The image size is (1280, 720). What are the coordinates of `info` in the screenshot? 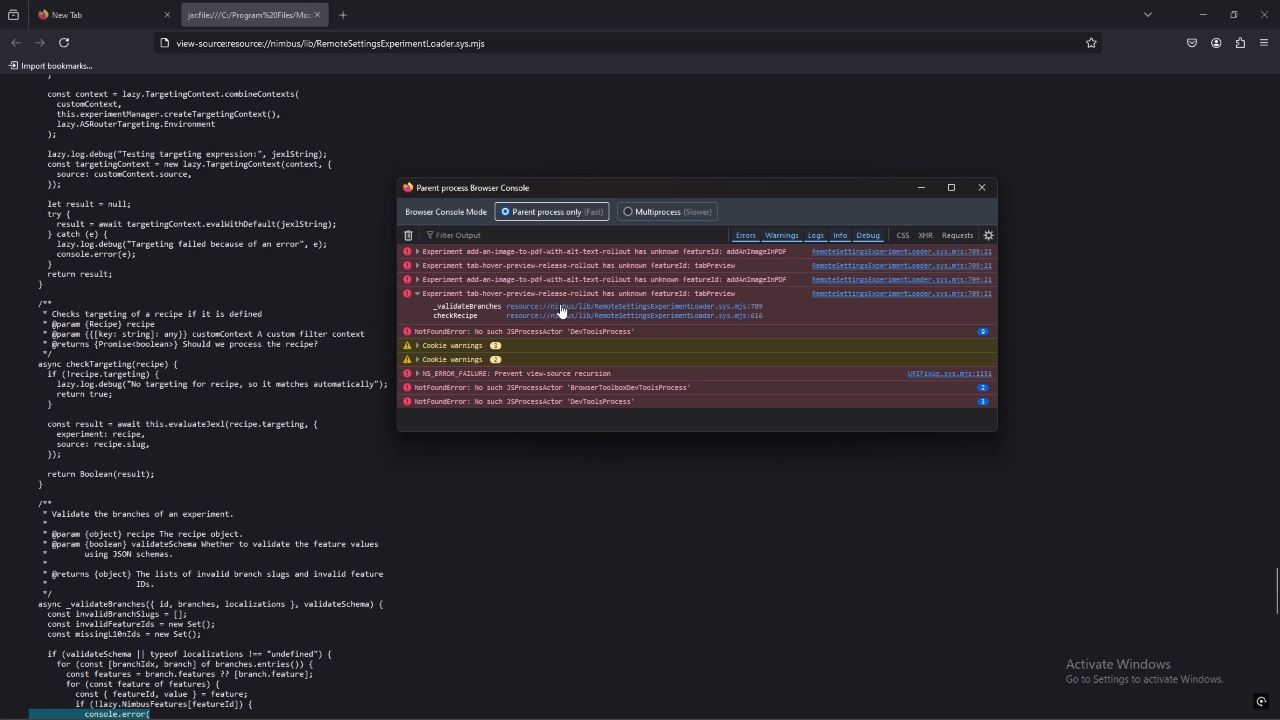 It's located at (982, 401).